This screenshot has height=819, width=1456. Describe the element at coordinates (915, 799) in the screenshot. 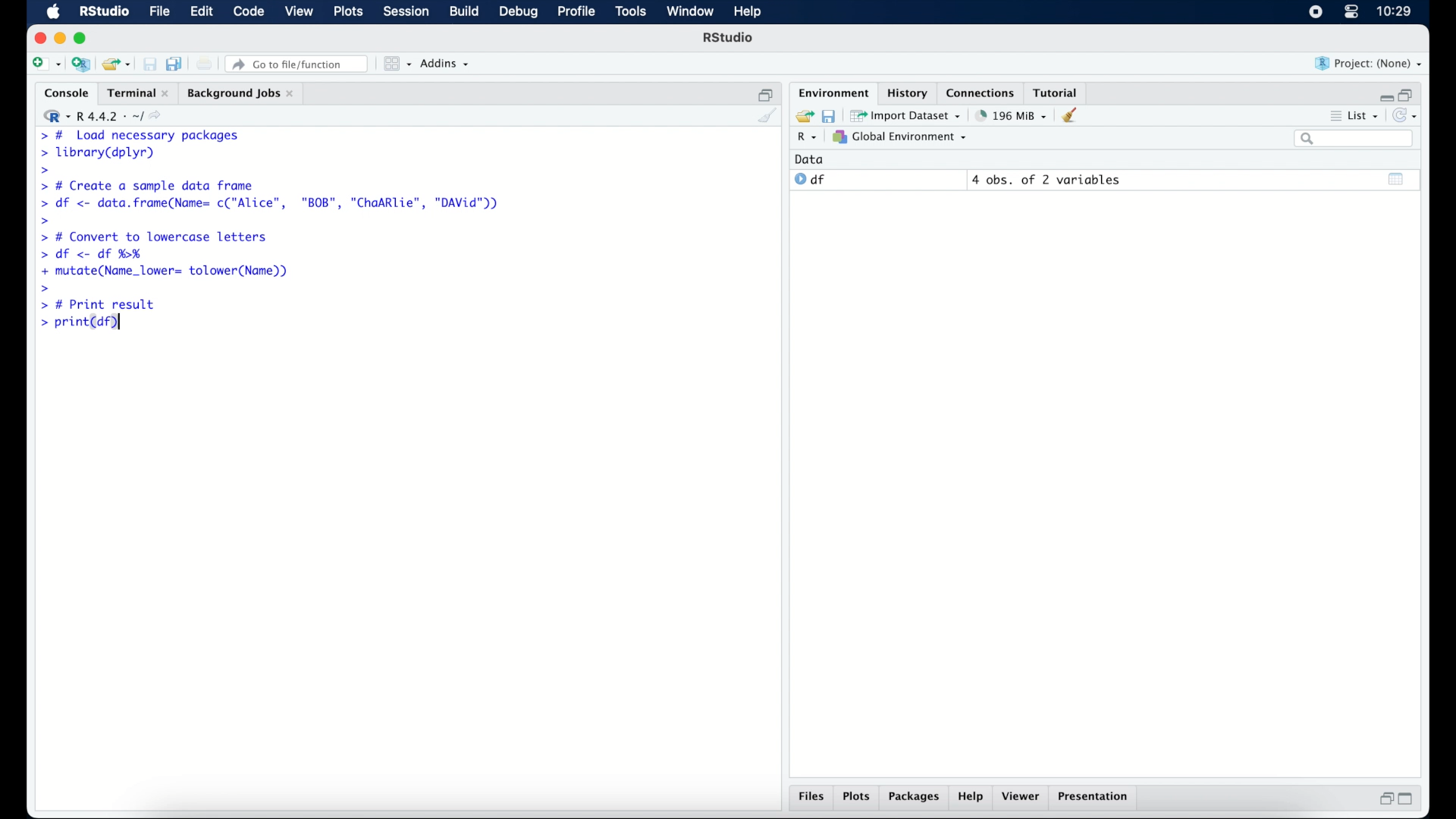

I see `packages` at that location.